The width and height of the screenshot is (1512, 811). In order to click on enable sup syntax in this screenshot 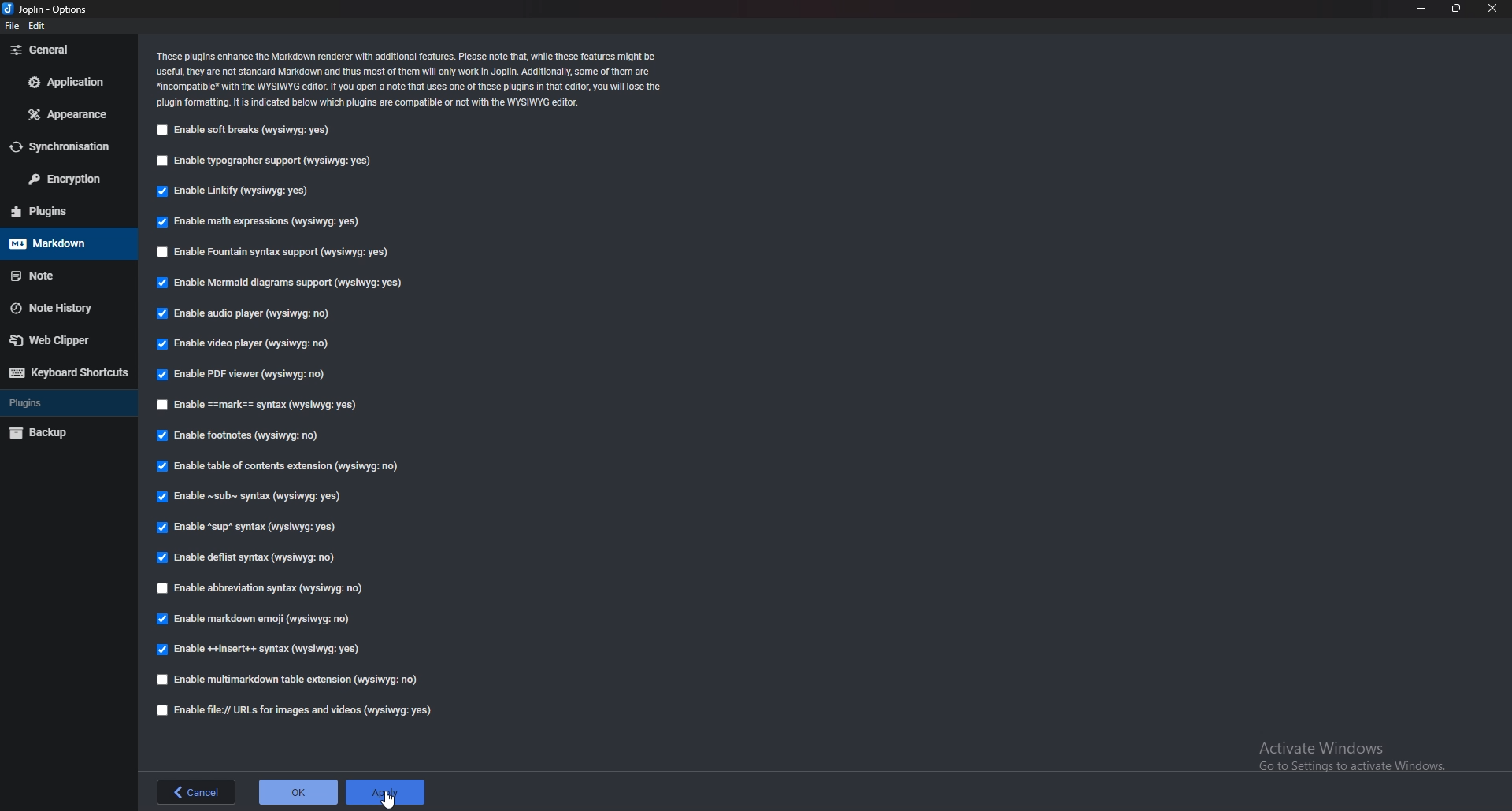, I will do `click(246, 529)`.